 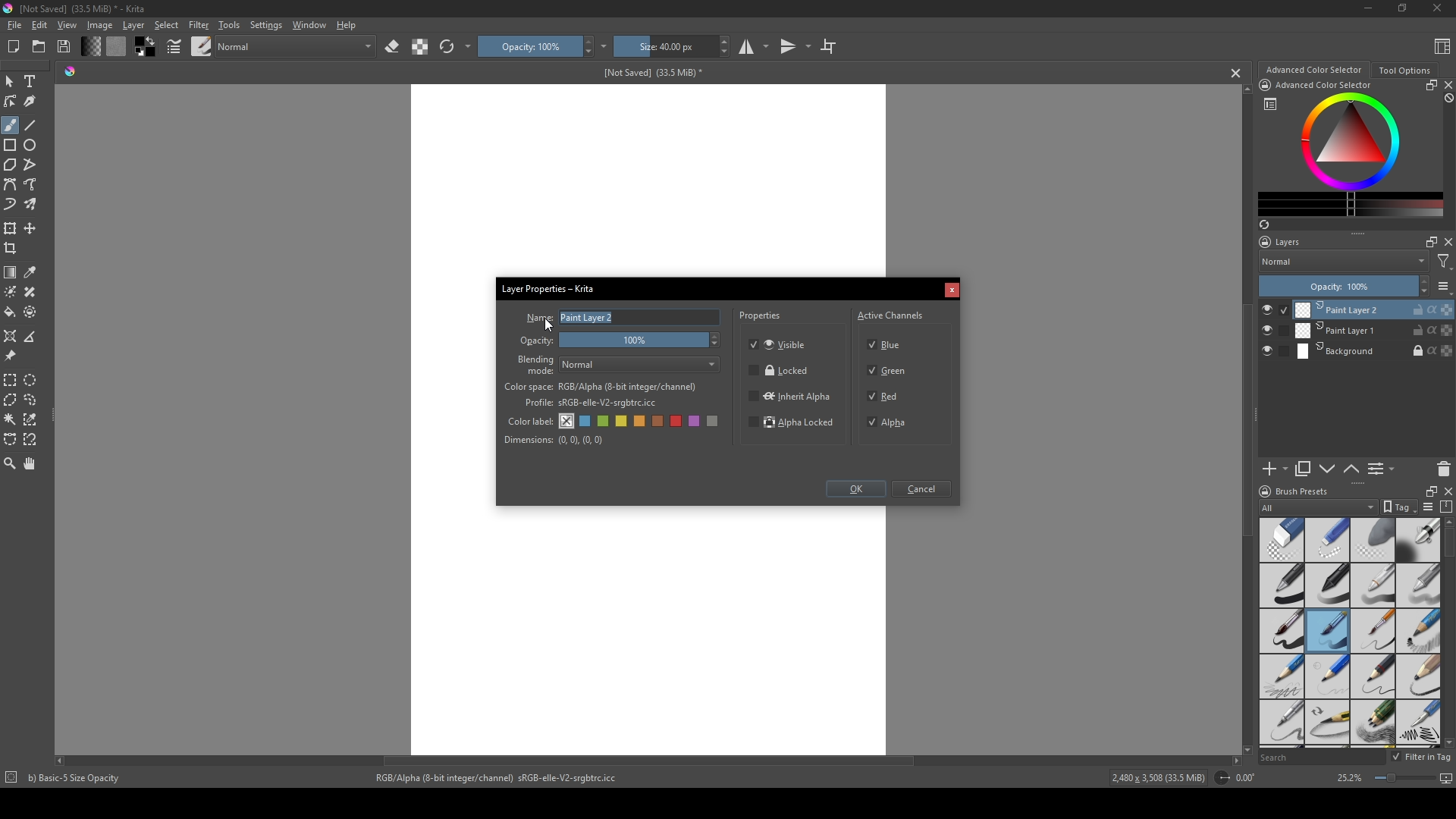 I want to click on Alpha Locked, so click(x=792, y=424).